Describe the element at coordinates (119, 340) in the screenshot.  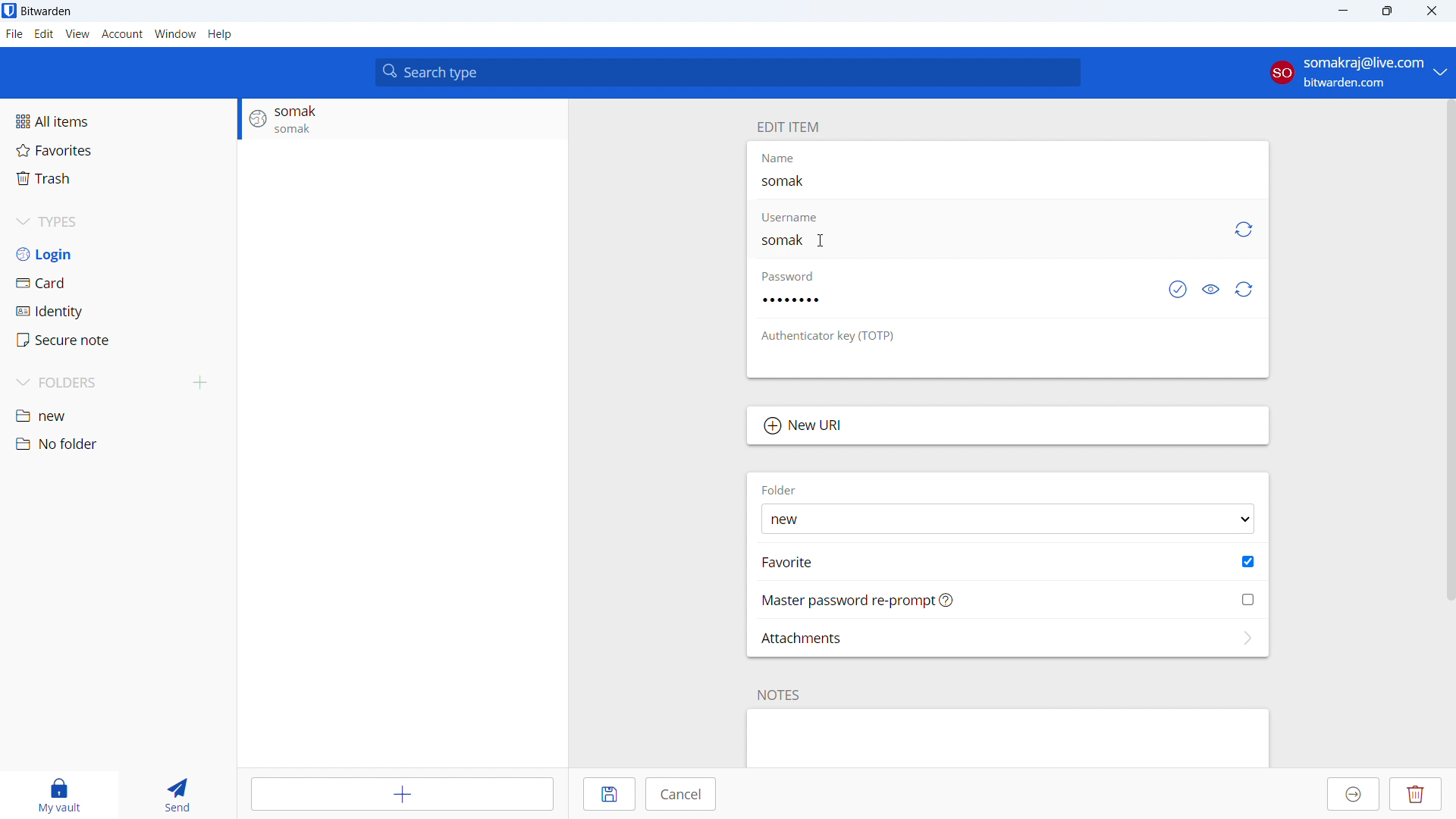
I see `secure note` at that location.